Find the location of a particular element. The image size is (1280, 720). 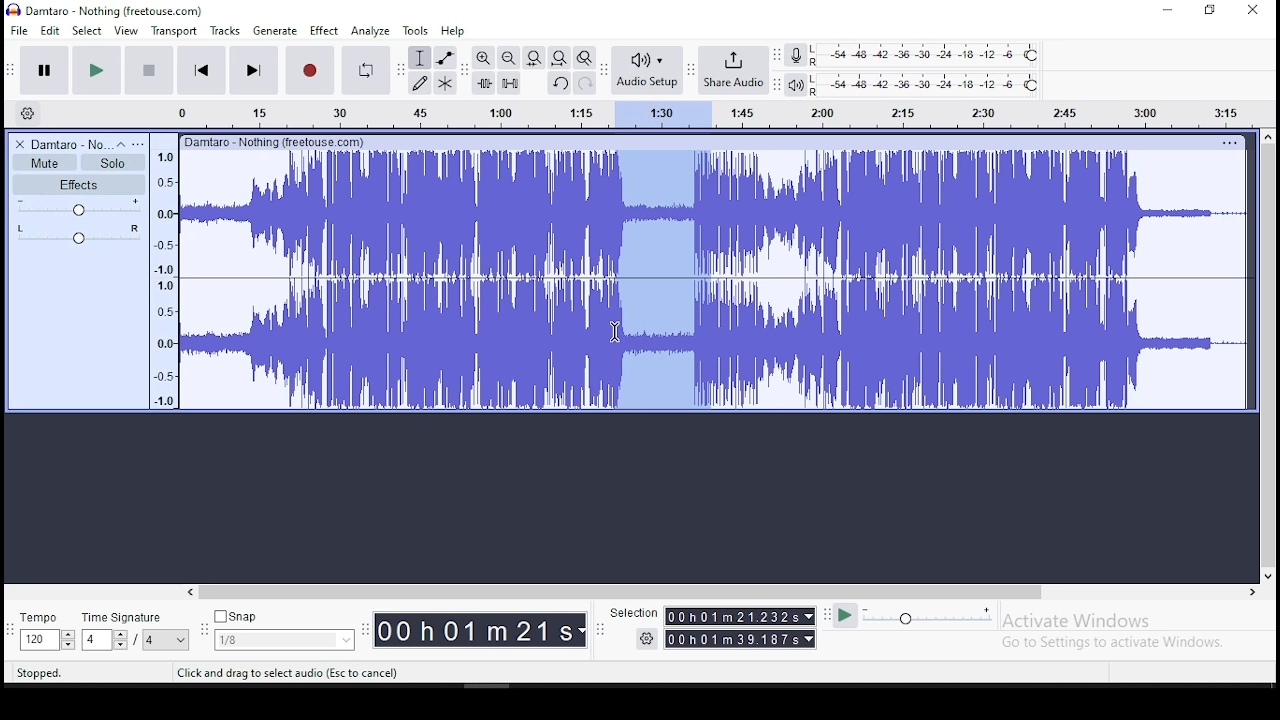

audio track is located at coordinates (715, 344).